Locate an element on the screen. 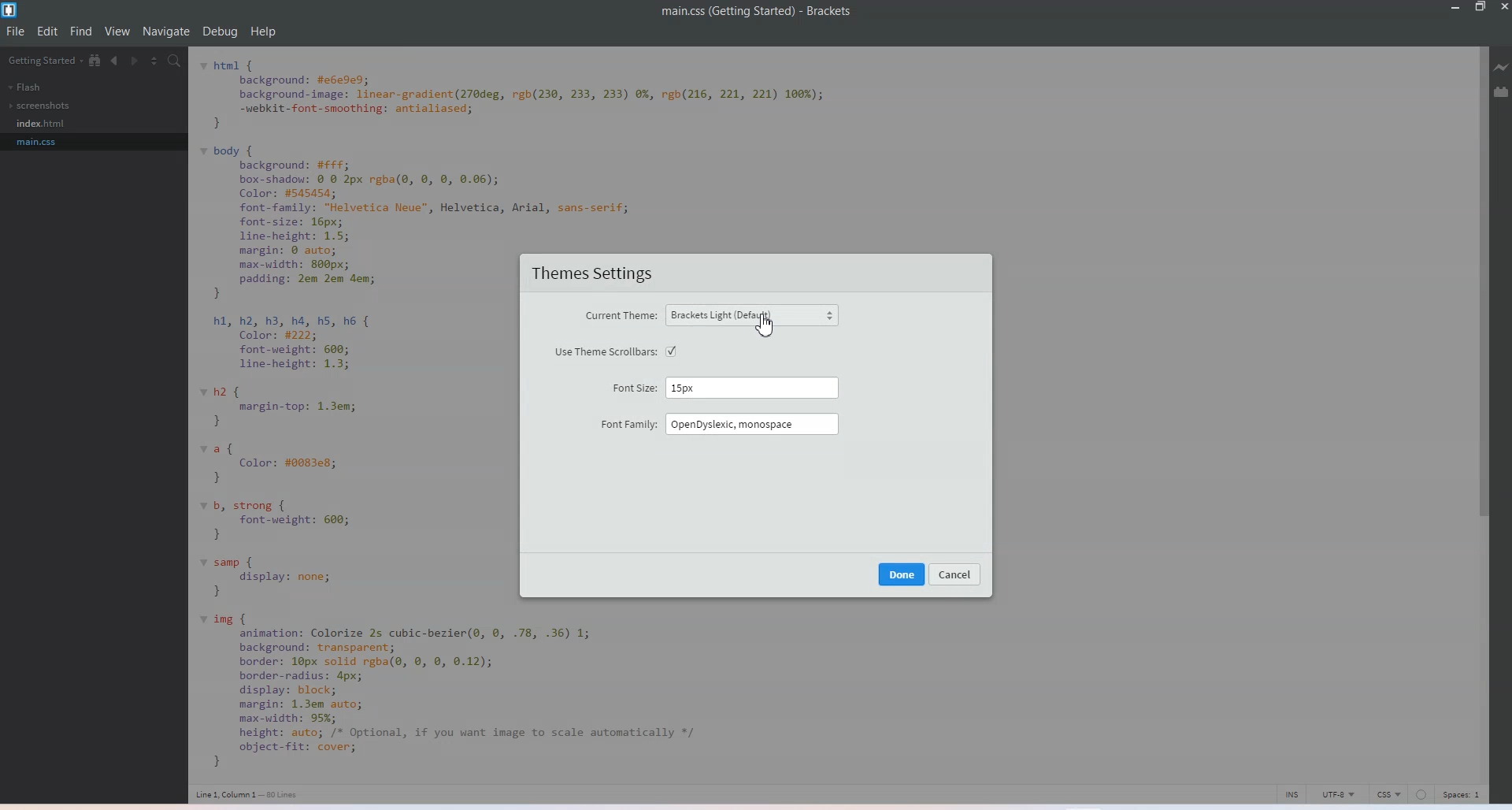 Image resolution: width=1512 pixels, height=810 pixels. Line 1, column 1 - 80 lines is located at coordinates (247, 794).